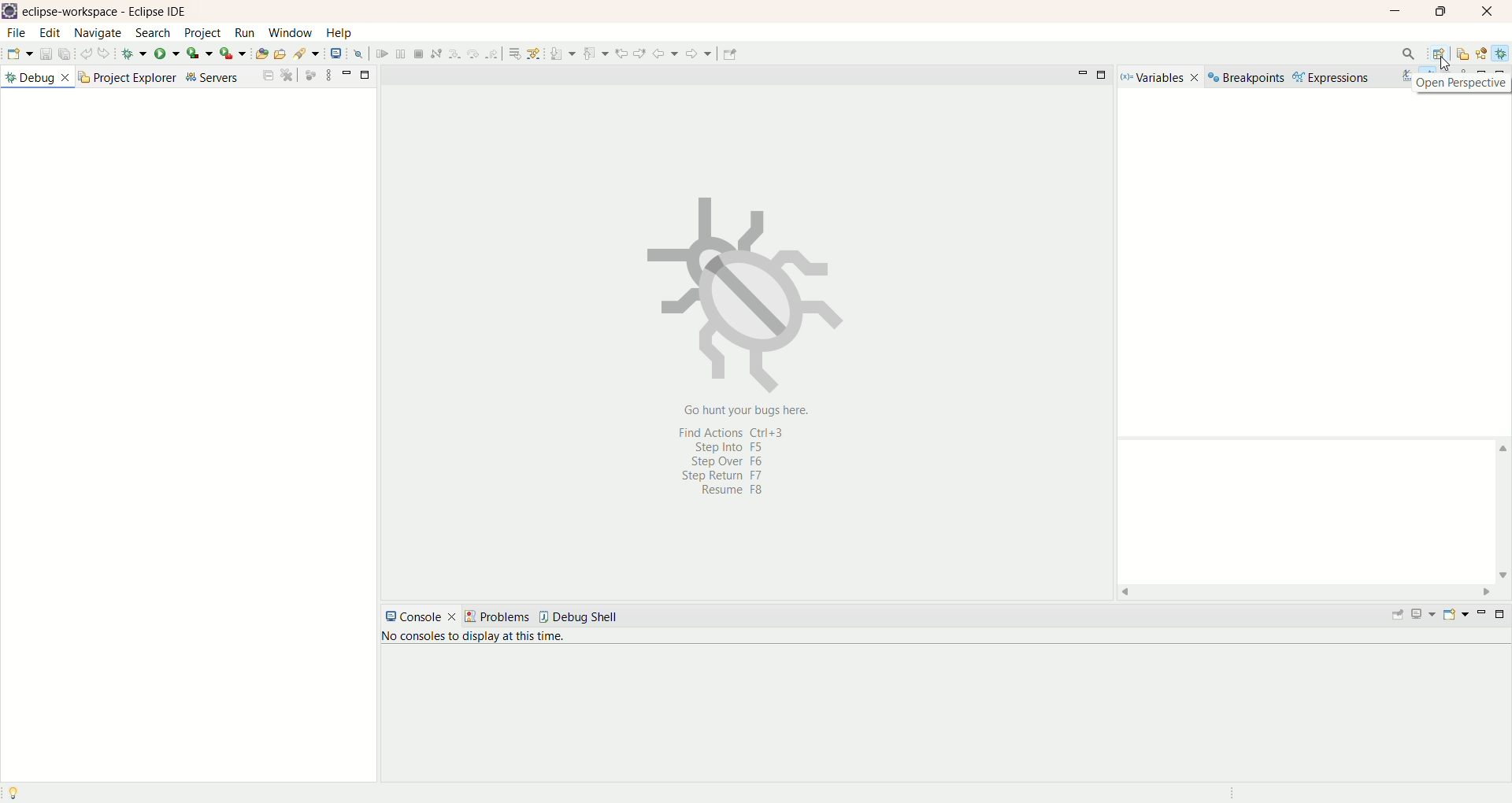  What do you see at coordinates (1406, 53) in the screenshot?
I see `search` at bounding box center [1406, 53].